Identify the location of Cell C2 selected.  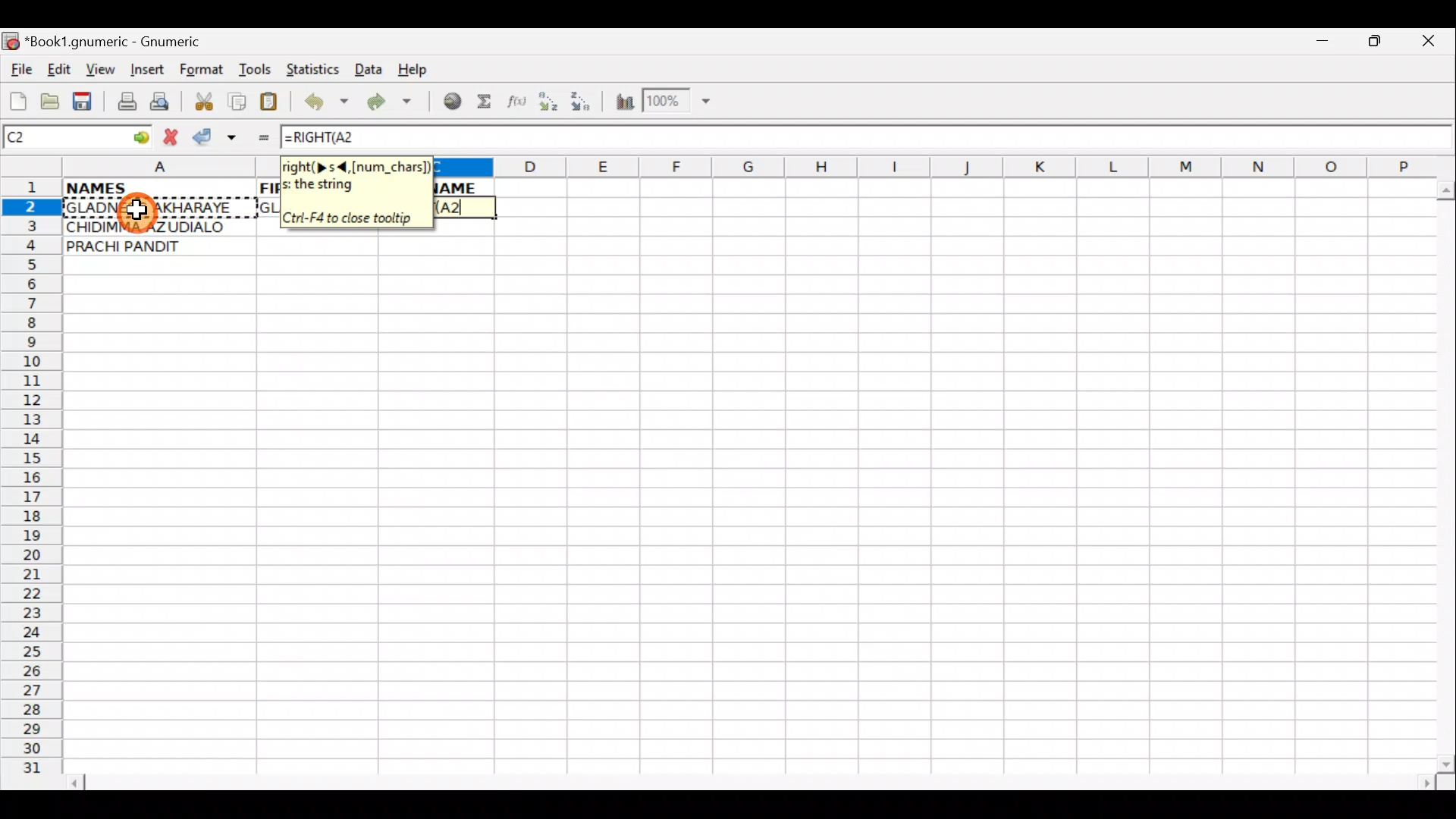
(464, 208).